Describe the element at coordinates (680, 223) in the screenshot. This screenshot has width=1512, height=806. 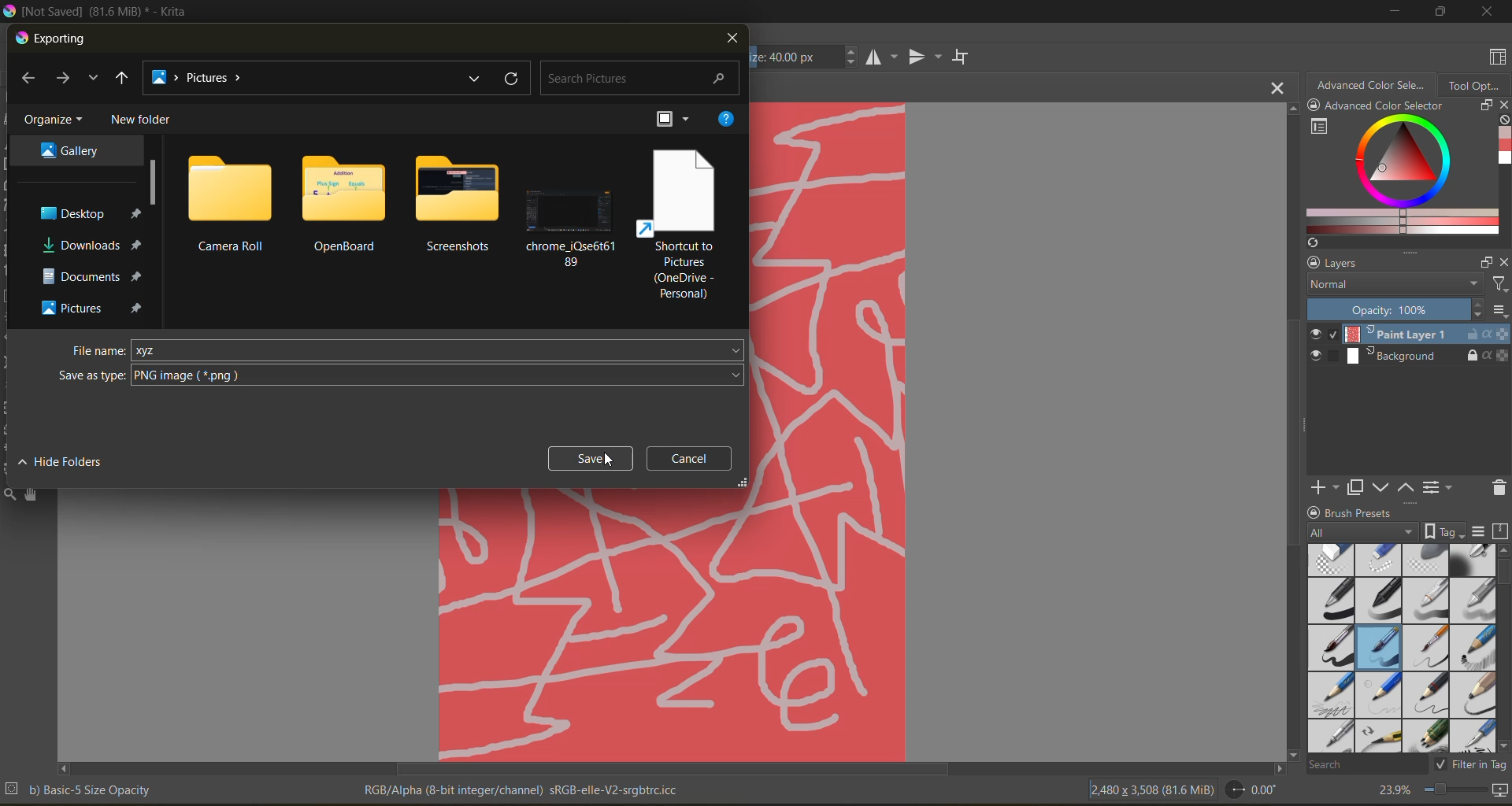
I see `folders` at that location.